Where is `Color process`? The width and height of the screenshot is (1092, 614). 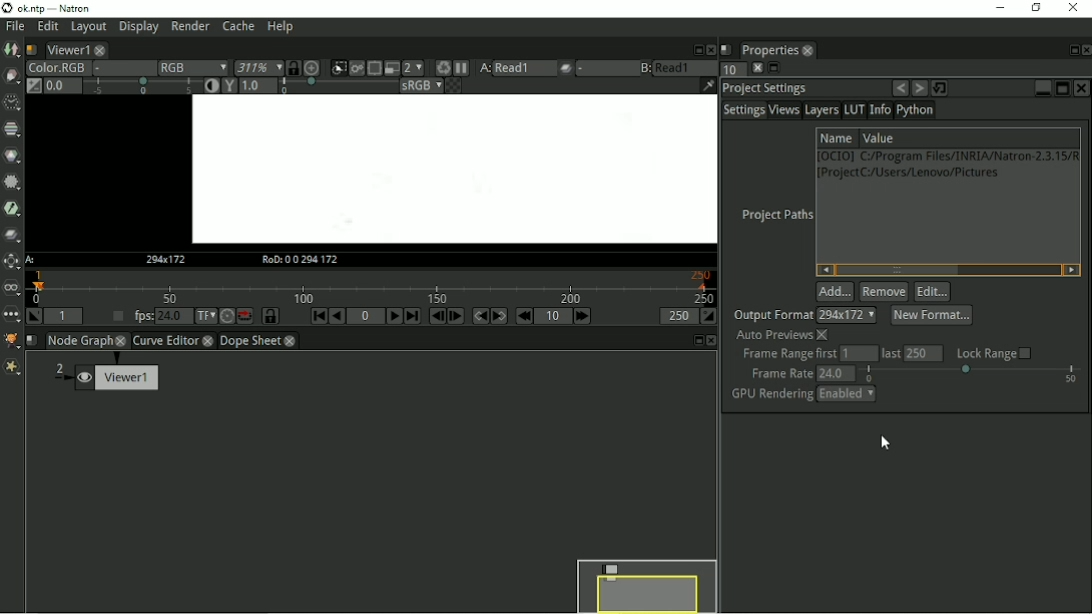 Color process is located at coordinates (420, 86).